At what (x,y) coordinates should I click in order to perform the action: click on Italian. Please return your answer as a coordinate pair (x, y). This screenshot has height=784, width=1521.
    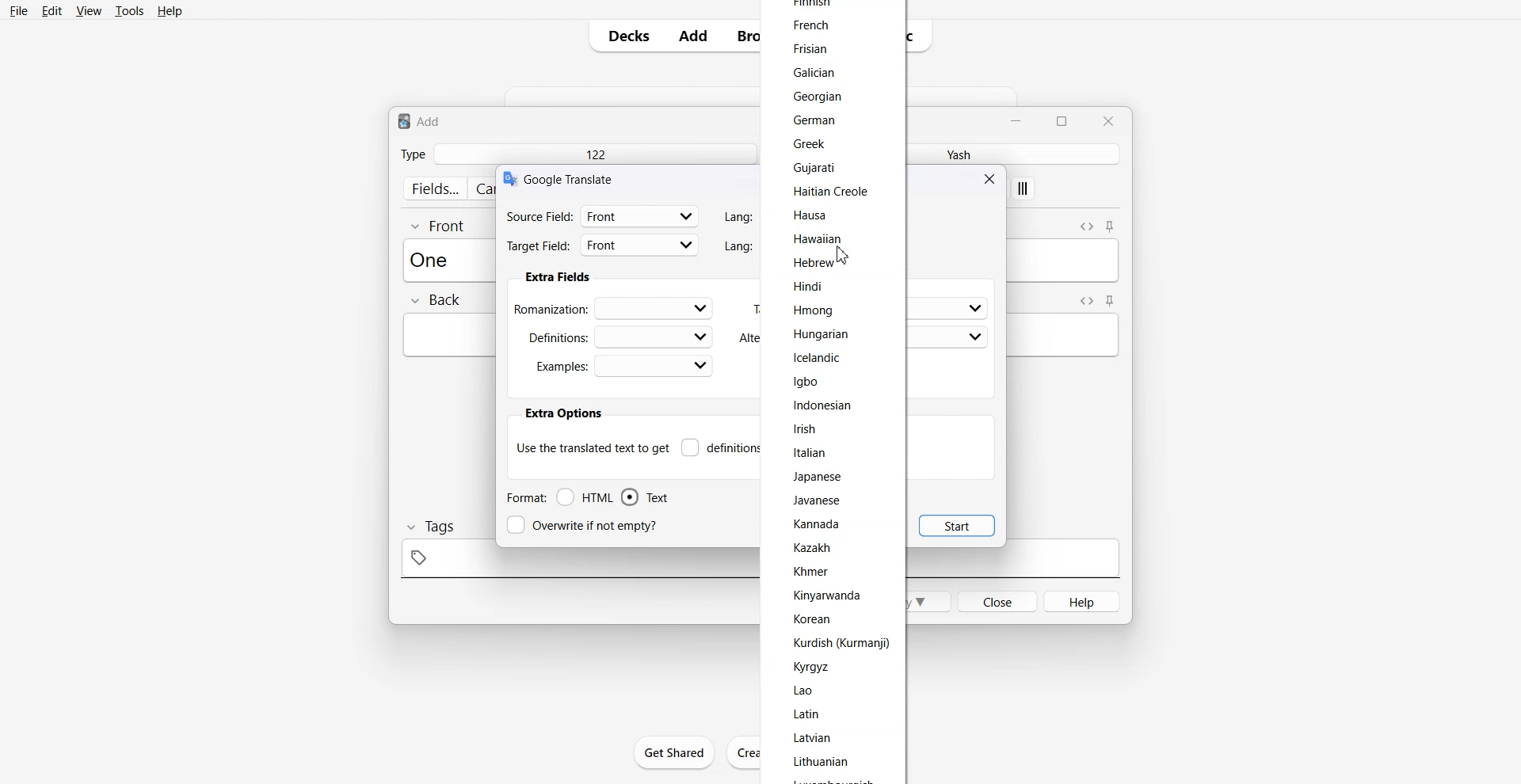
    Looking at the image, I should click on (810, 452).